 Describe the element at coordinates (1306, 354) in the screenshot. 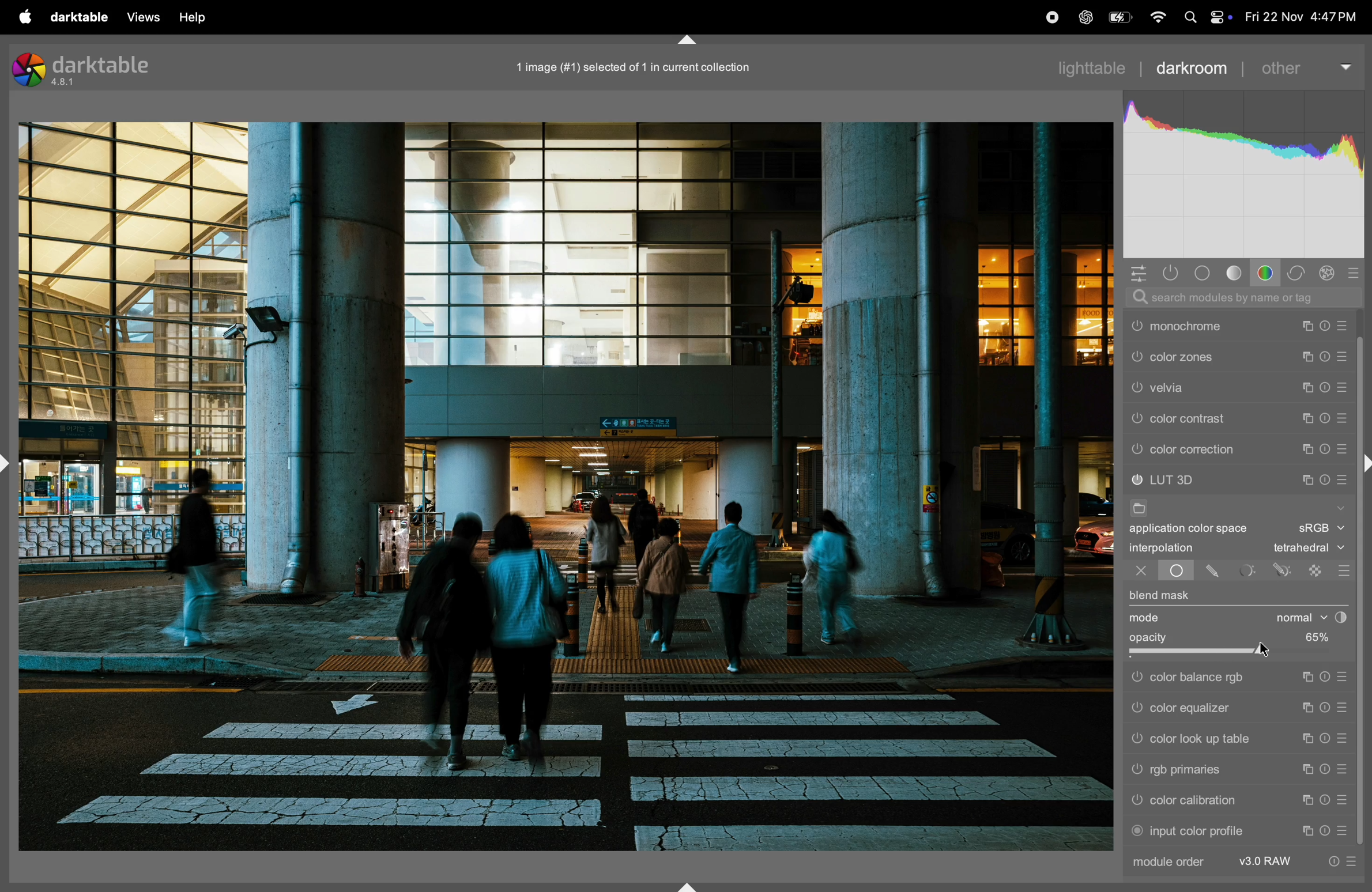

I see `multiple intance actions` at that location.